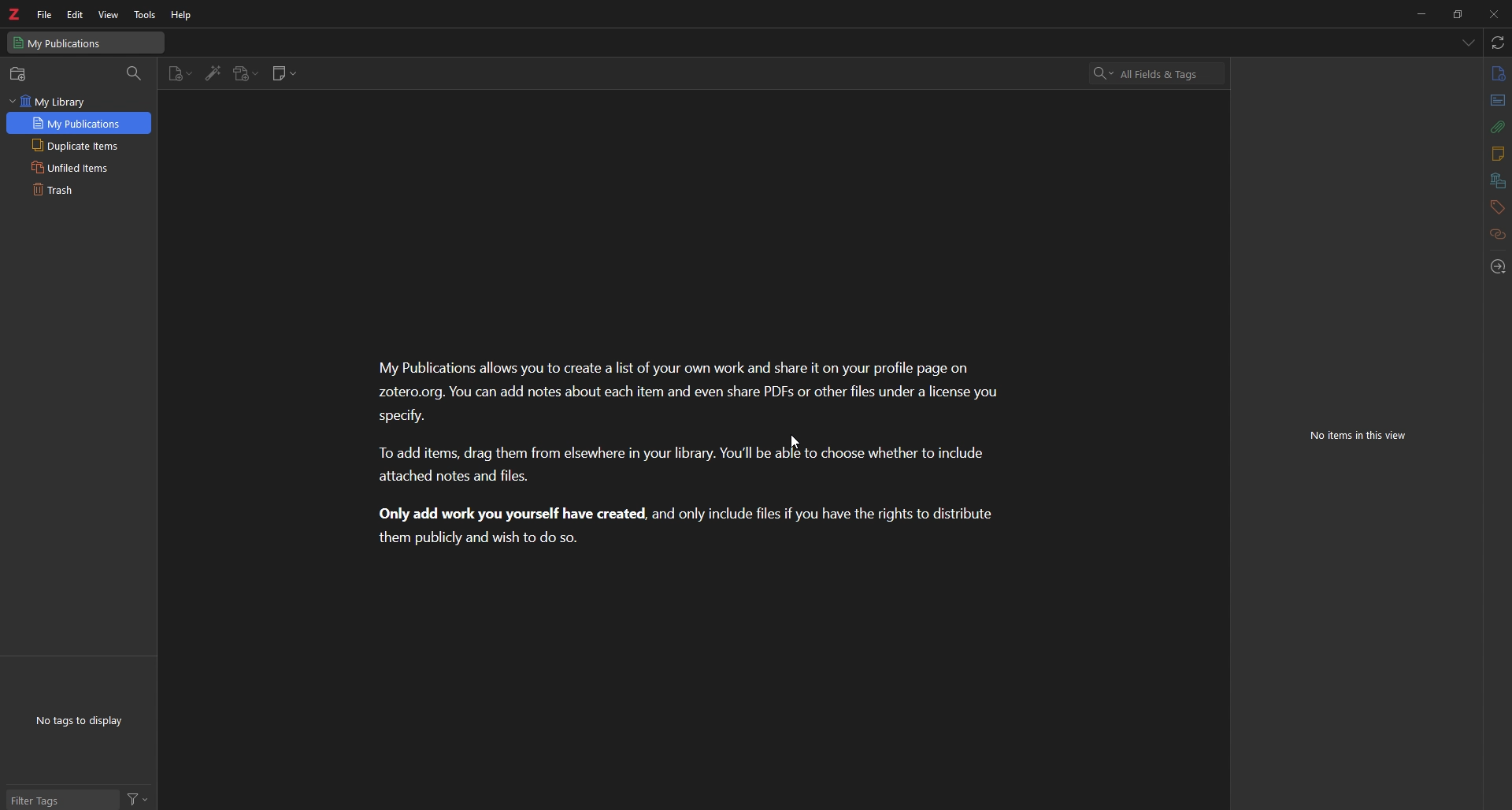 The height and width of the screenshot is (810, 1512). Describe the element at coordinates (1499, 43) in the screenshot. I see `sync with zotero.org` at that location.